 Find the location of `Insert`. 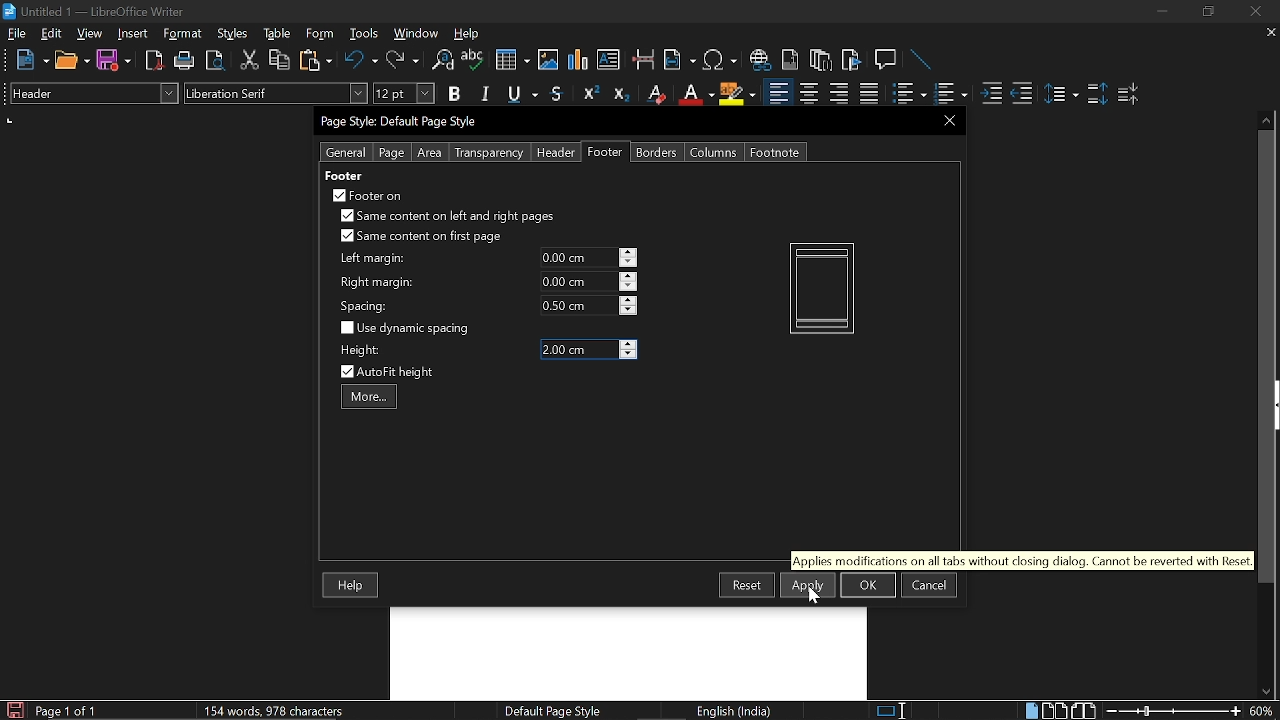

Insert is located at coordinates (137, 33).